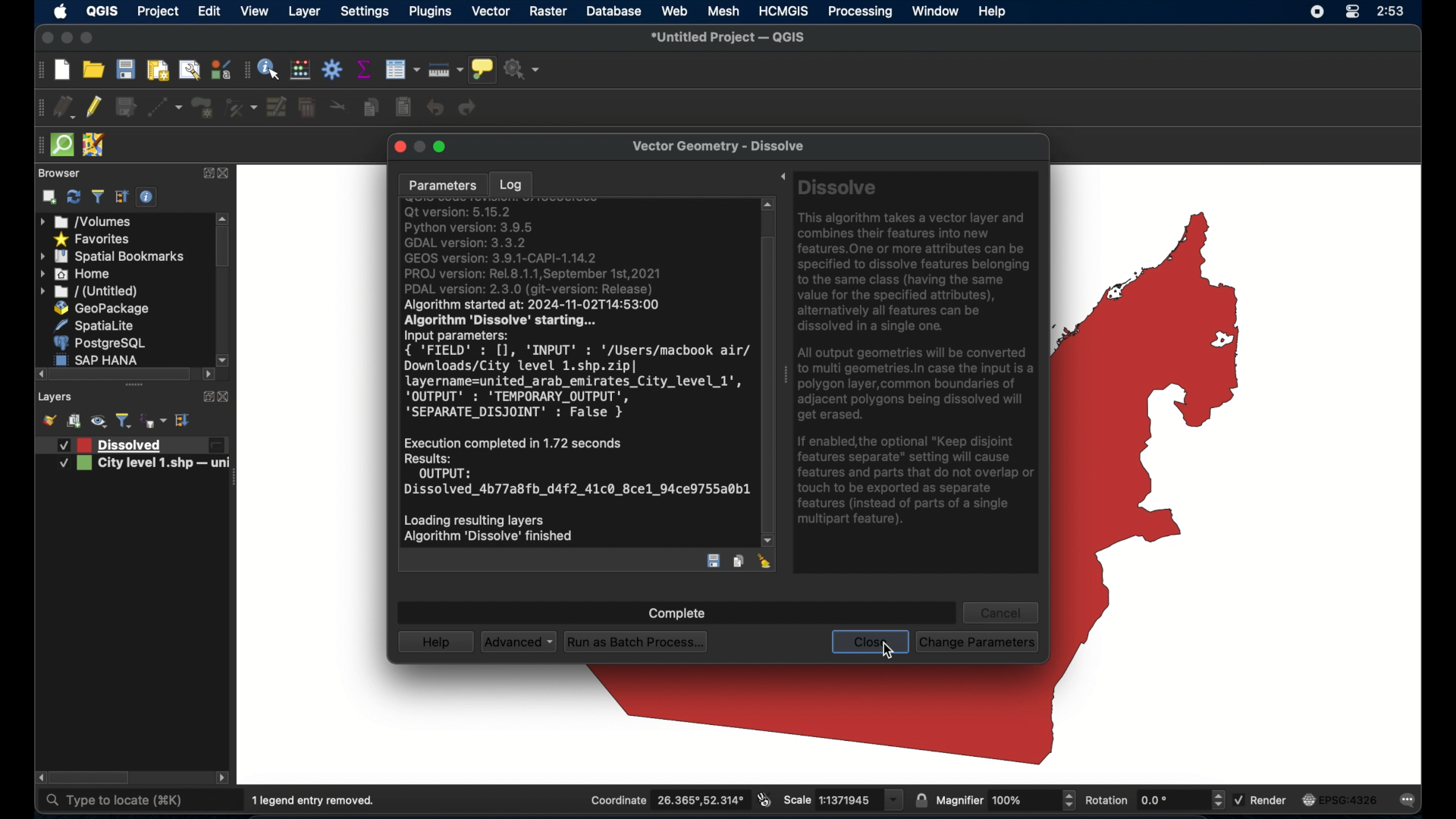 The image size is (1456, 819). Describe the element at coordinates (792, 719) in the screenshot. I see `obscured map` at that location.